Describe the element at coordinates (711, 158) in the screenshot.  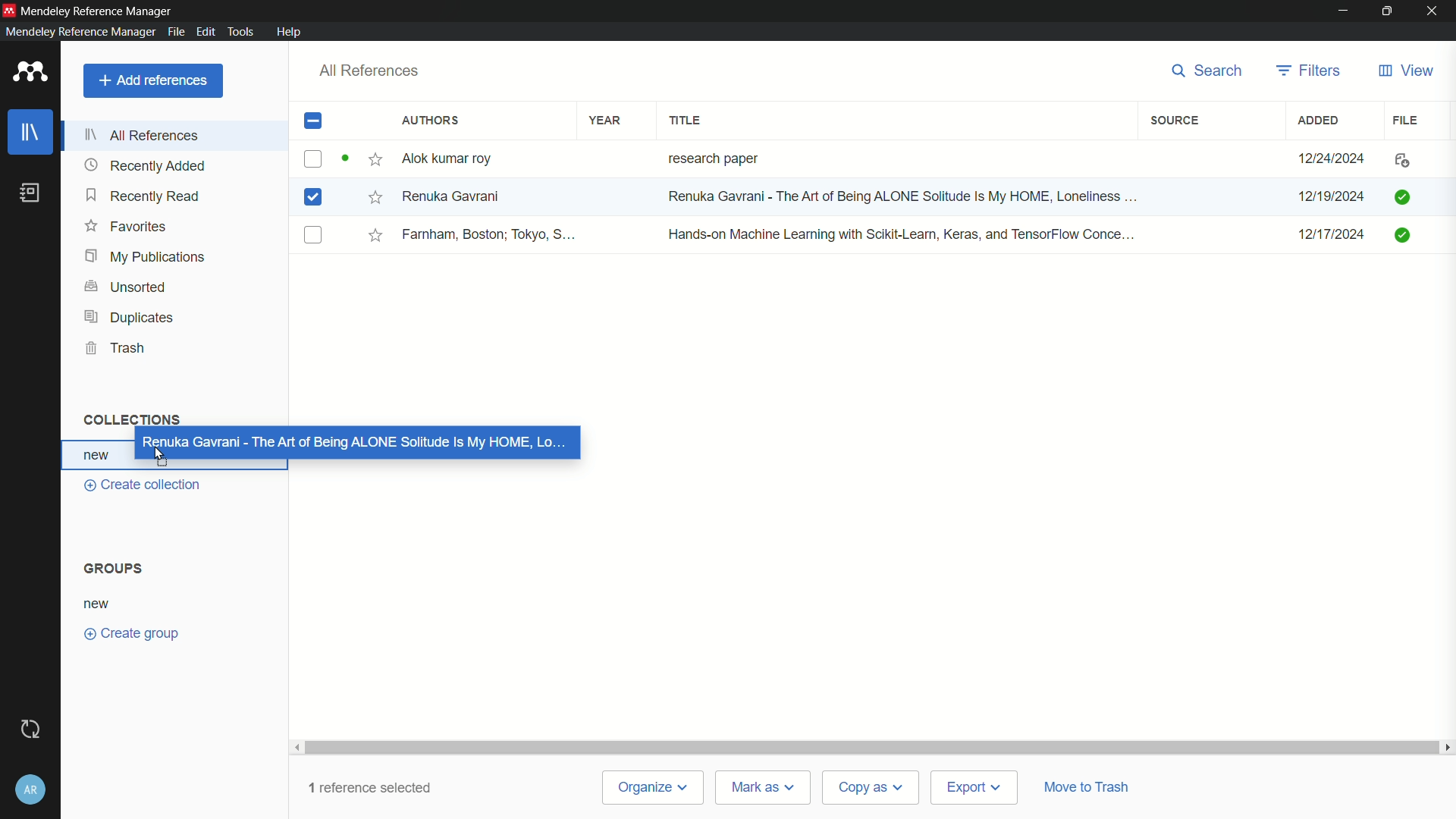
I see `research paper` at that location.